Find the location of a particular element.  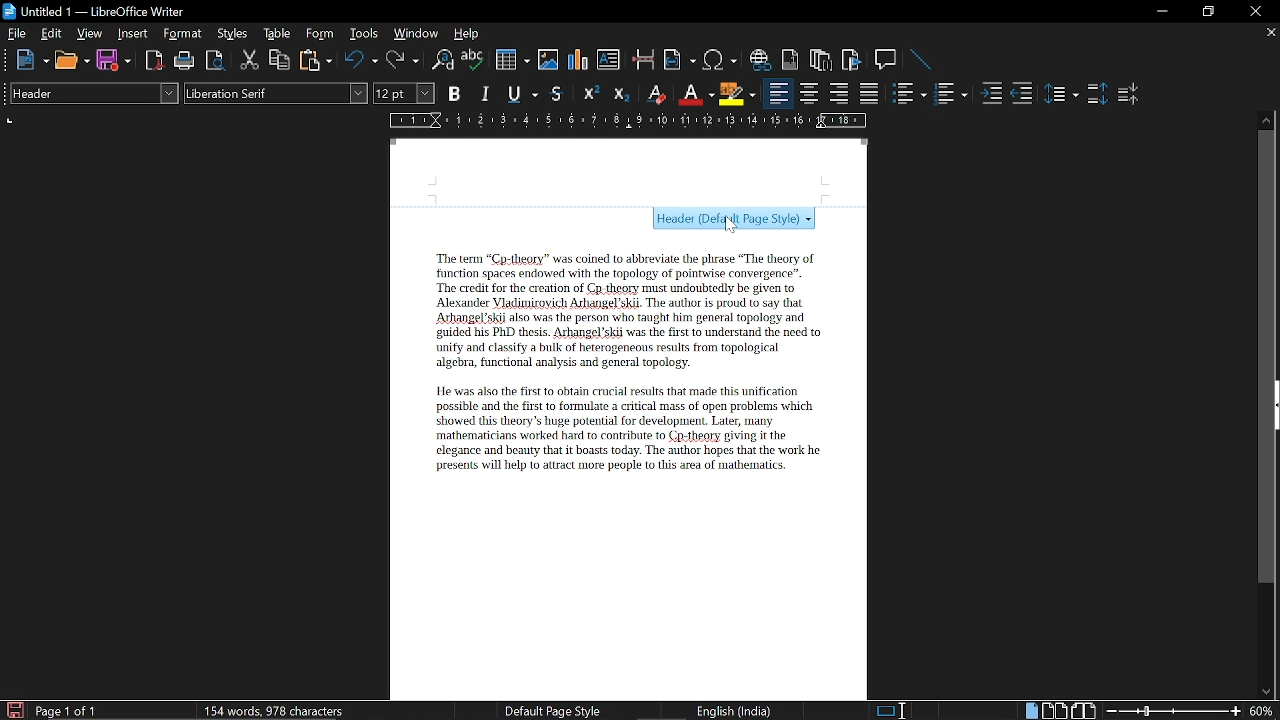

HElp is located at coordinates (468, 33).